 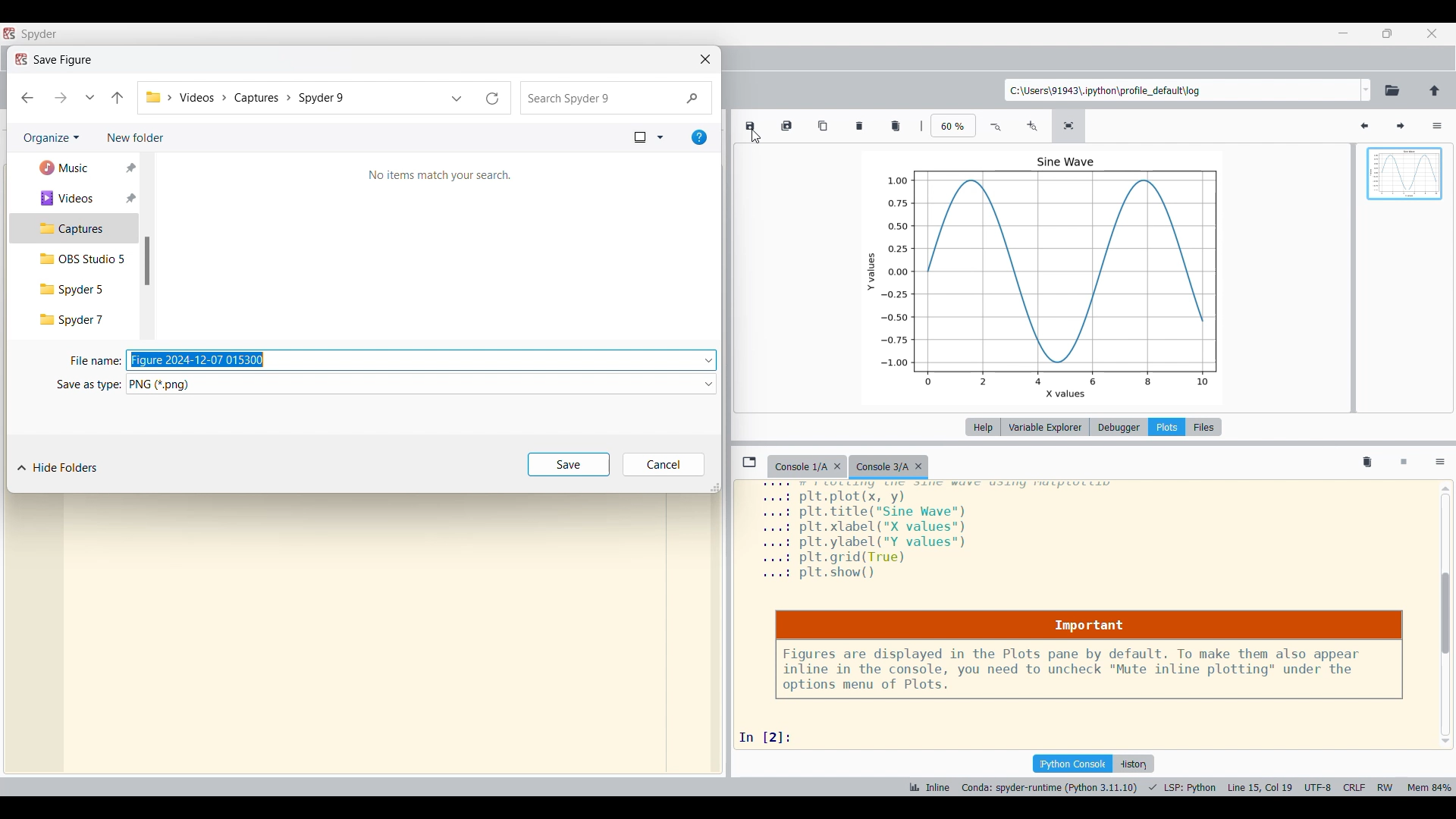 What do you see at coordinates (1345, 33) in the screenshot?
I see `Minimize` at bounding box center [1345, 33].